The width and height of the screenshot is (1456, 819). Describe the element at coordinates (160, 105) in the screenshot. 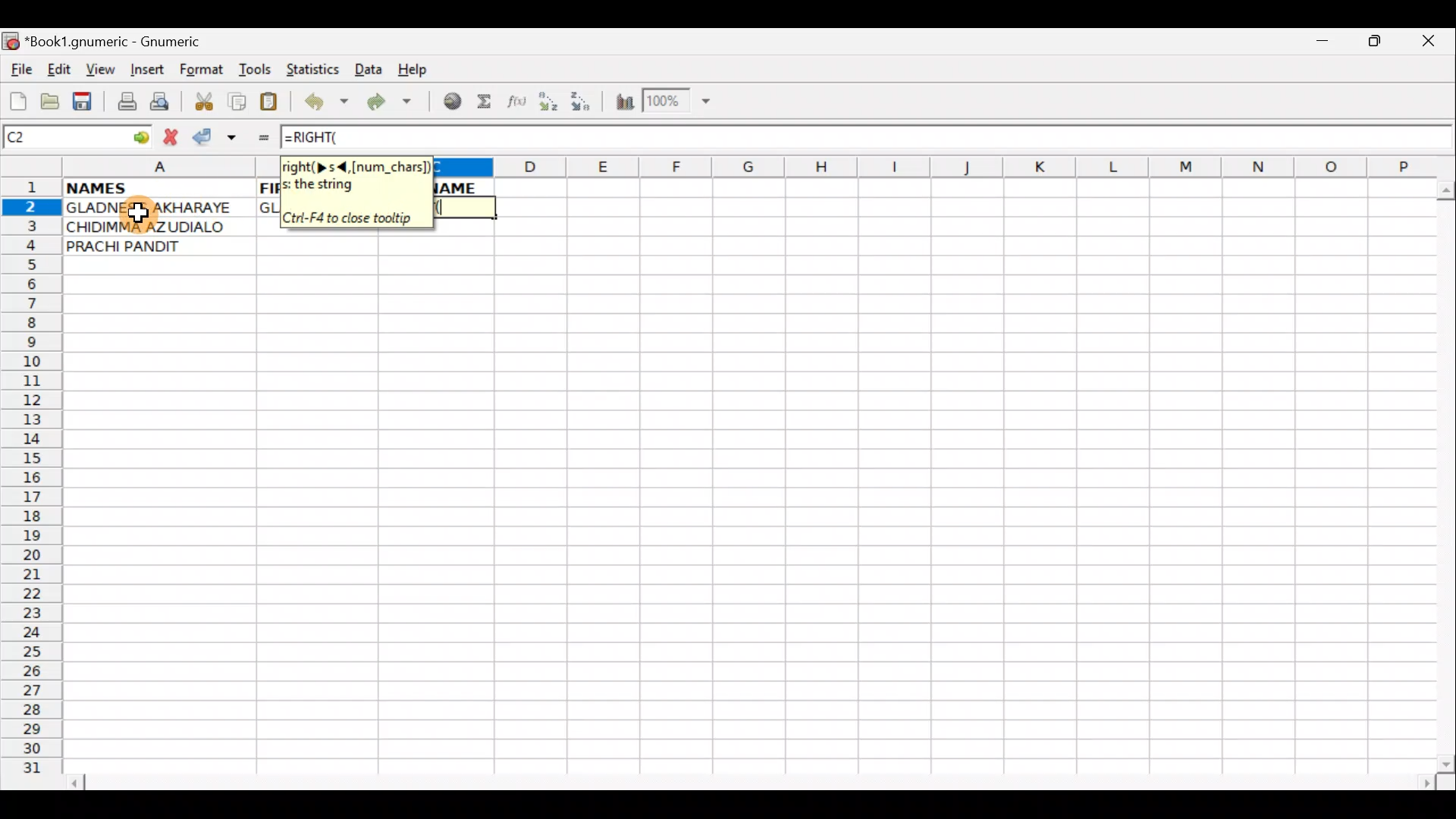

I see `Print preview` at that location.